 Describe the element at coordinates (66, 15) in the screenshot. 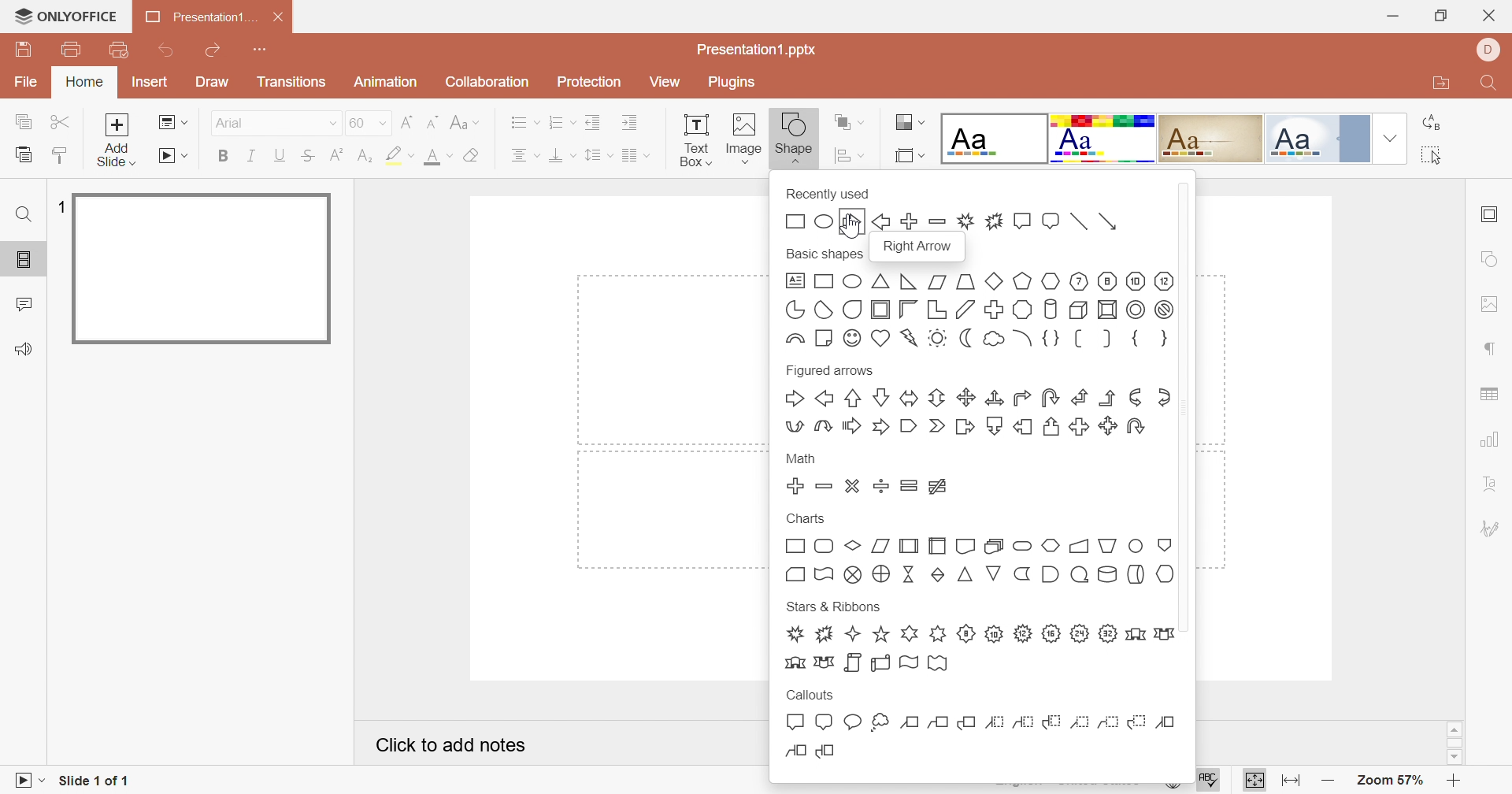

I see `ONLYOFFICE` at that location.